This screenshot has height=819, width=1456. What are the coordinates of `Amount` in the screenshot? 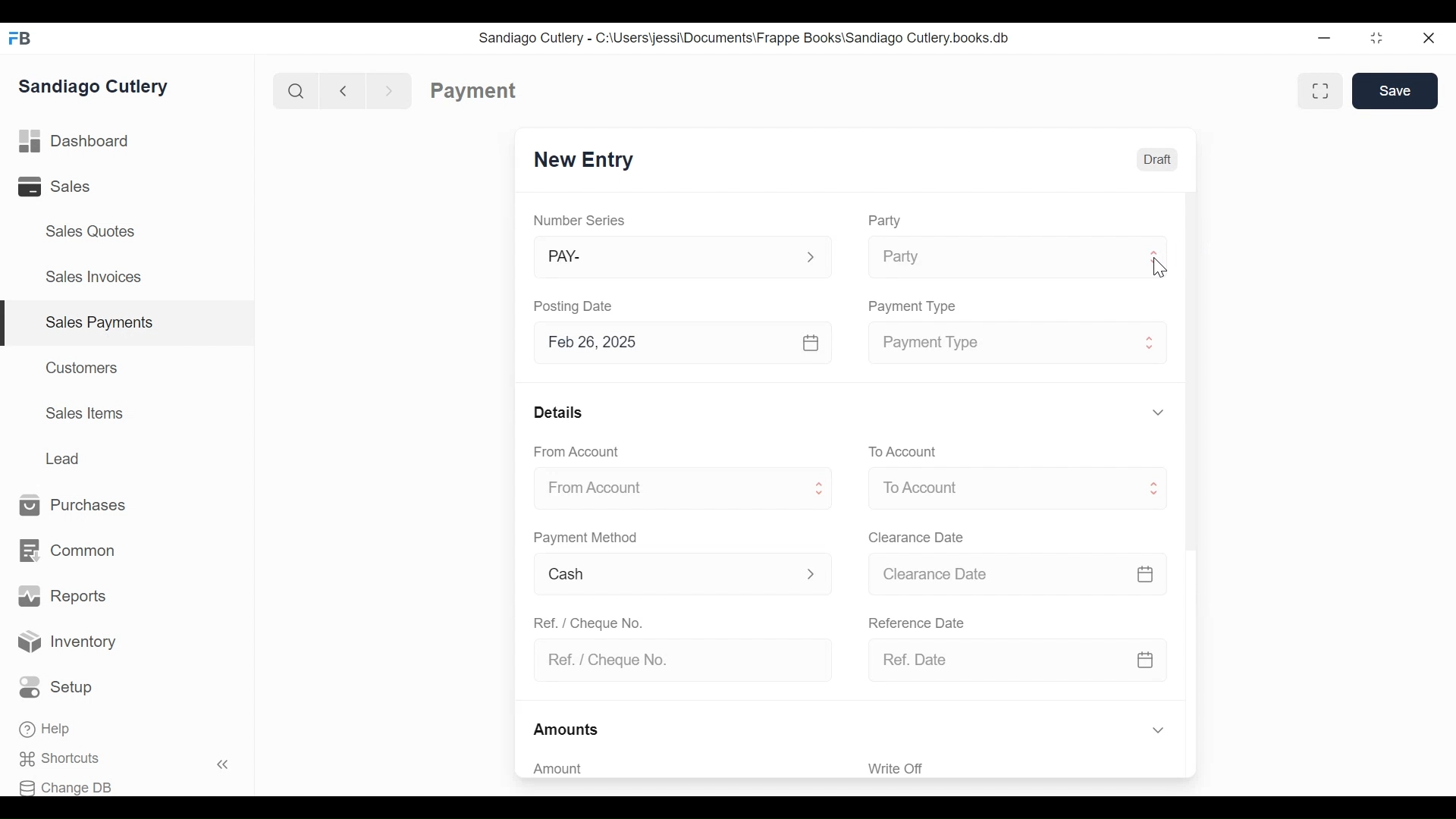 It's located at (675, 769).